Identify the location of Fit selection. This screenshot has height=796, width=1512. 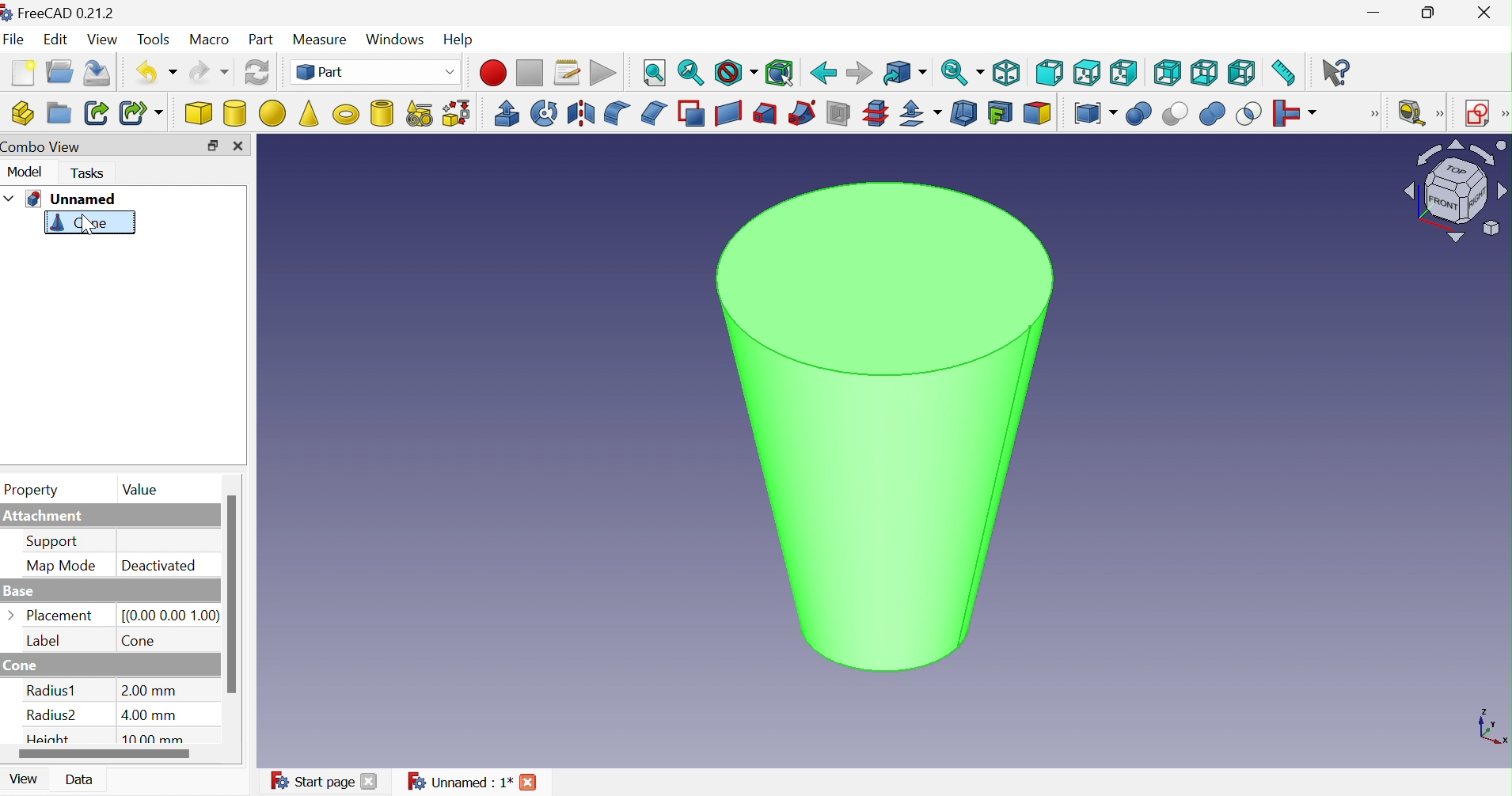
(690, 75).